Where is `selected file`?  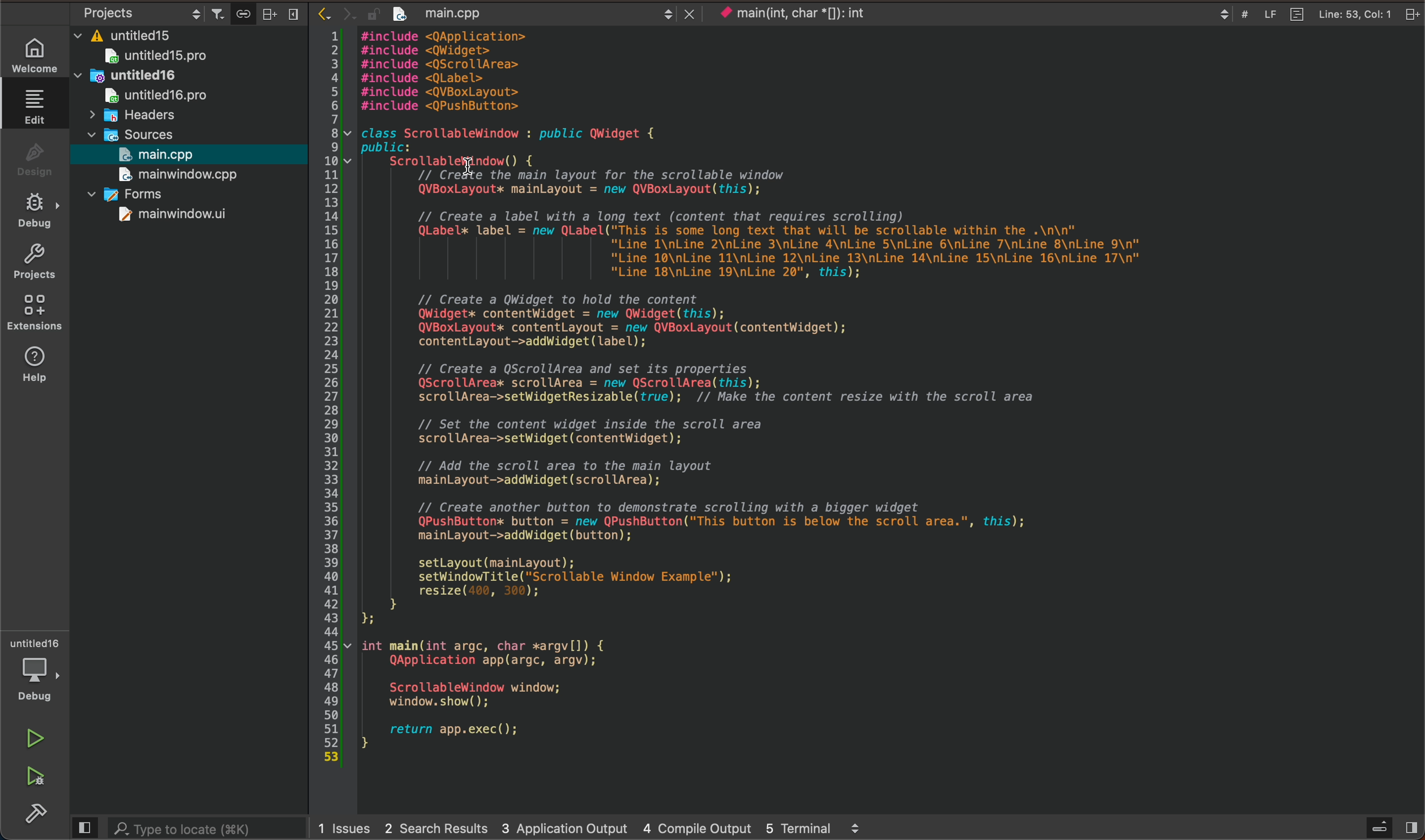 selected file is located at coordinates (186, 155).